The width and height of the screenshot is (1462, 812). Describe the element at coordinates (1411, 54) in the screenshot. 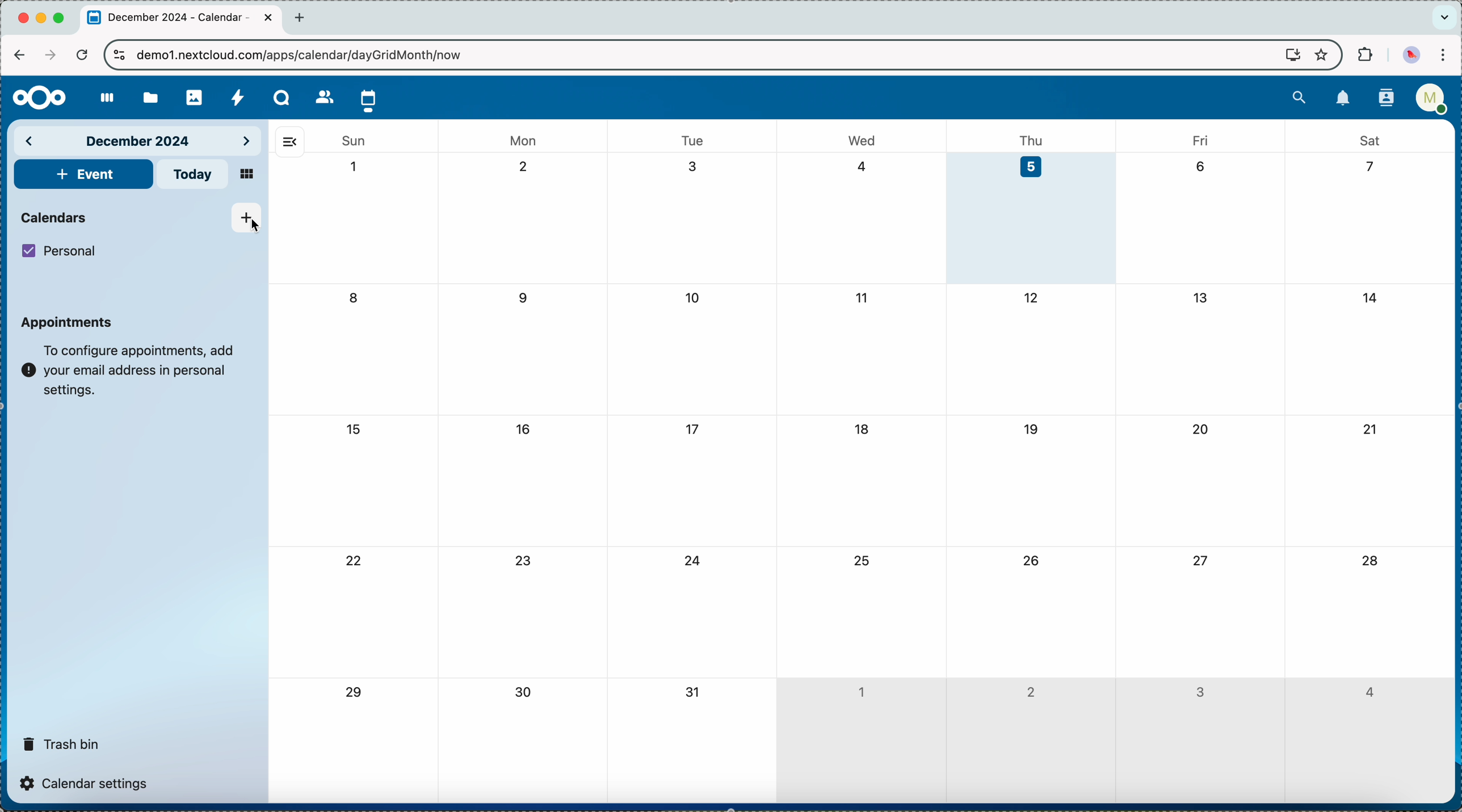

I see `profile picture` at that location.